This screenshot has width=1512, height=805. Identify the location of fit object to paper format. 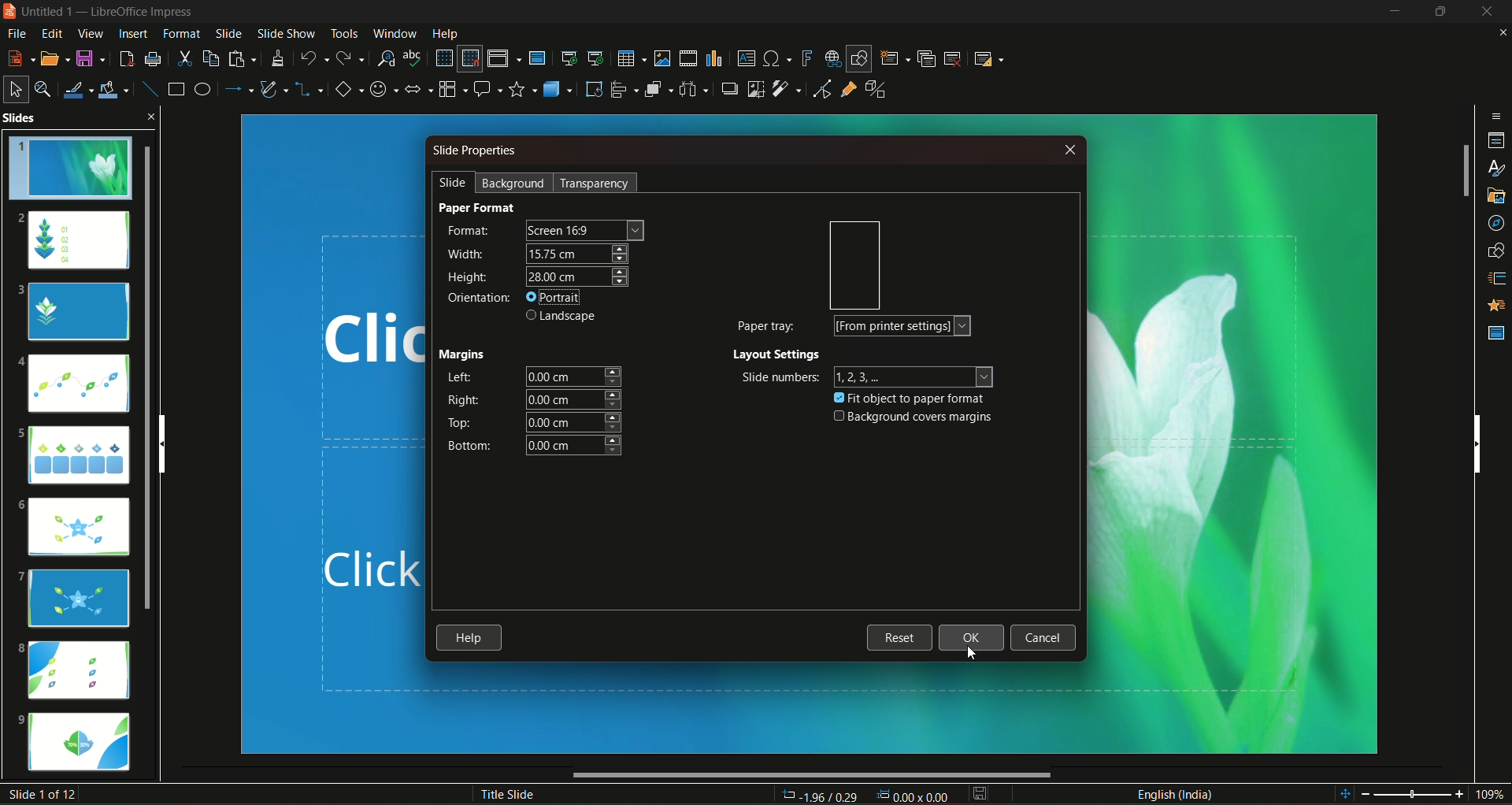
(911, 397).